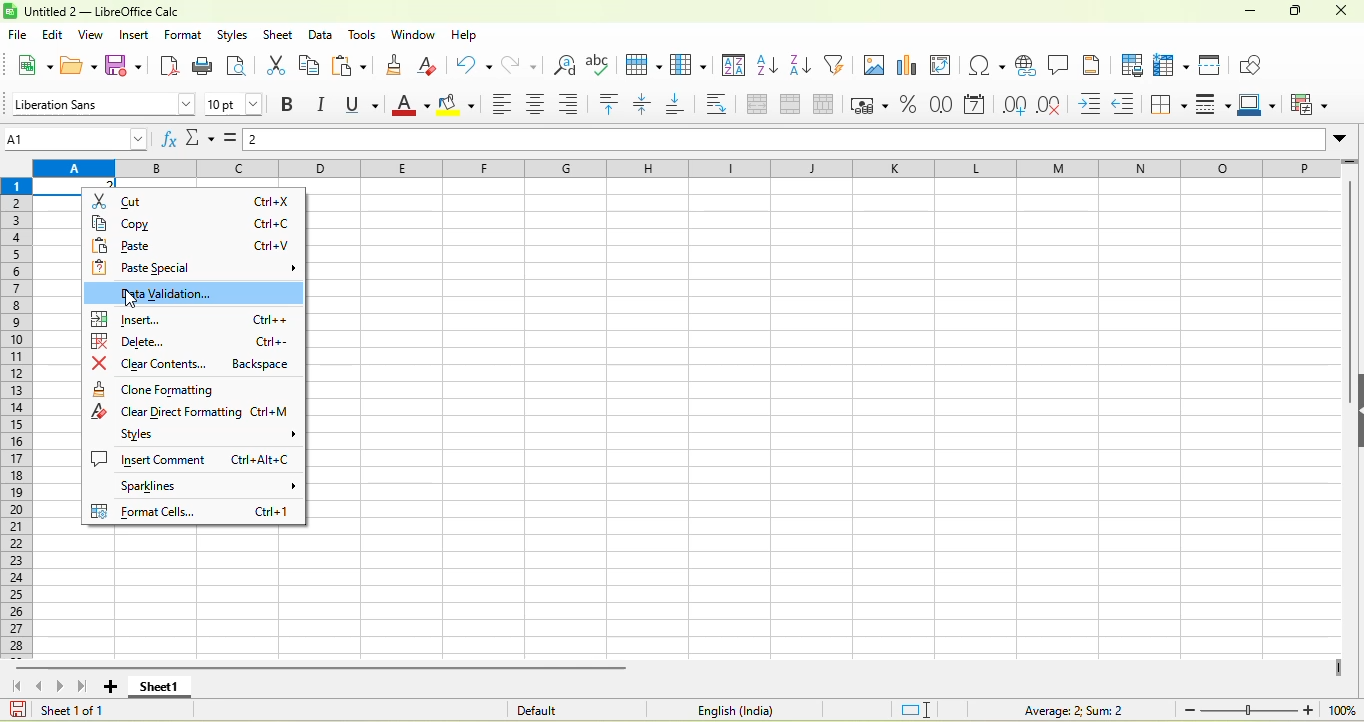 The width and height of the screenshot is (1364, 722). What do you see at coordinates (763, 106) in the screenshot?
I see `merge and center` at bounding box center [763, 106].